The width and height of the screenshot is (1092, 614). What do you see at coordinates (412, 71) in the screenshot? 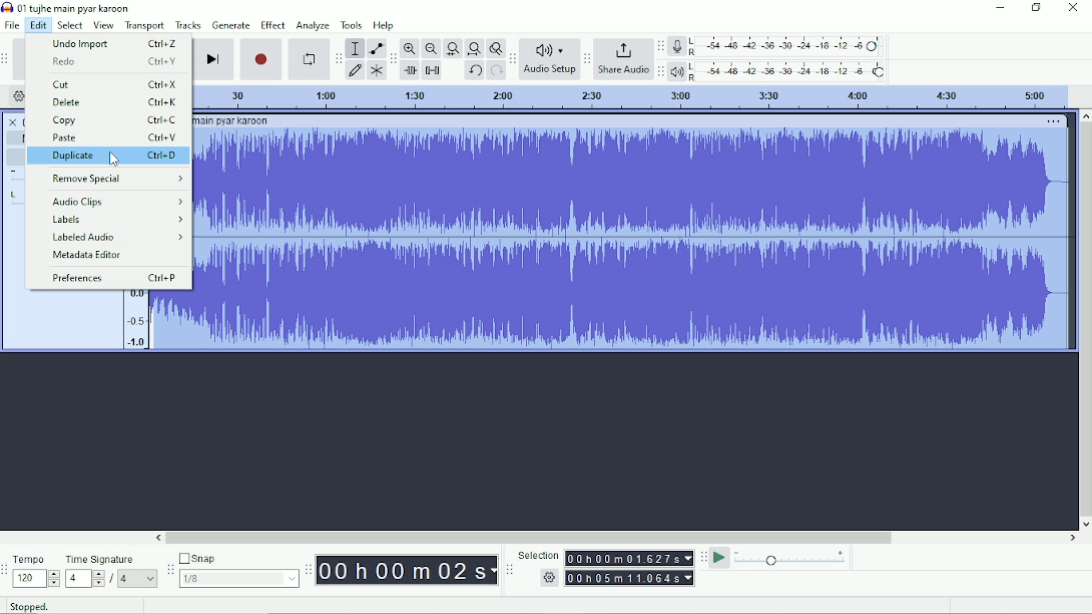
I see `Trim audio outside selection` at bounding box center [412, 71].